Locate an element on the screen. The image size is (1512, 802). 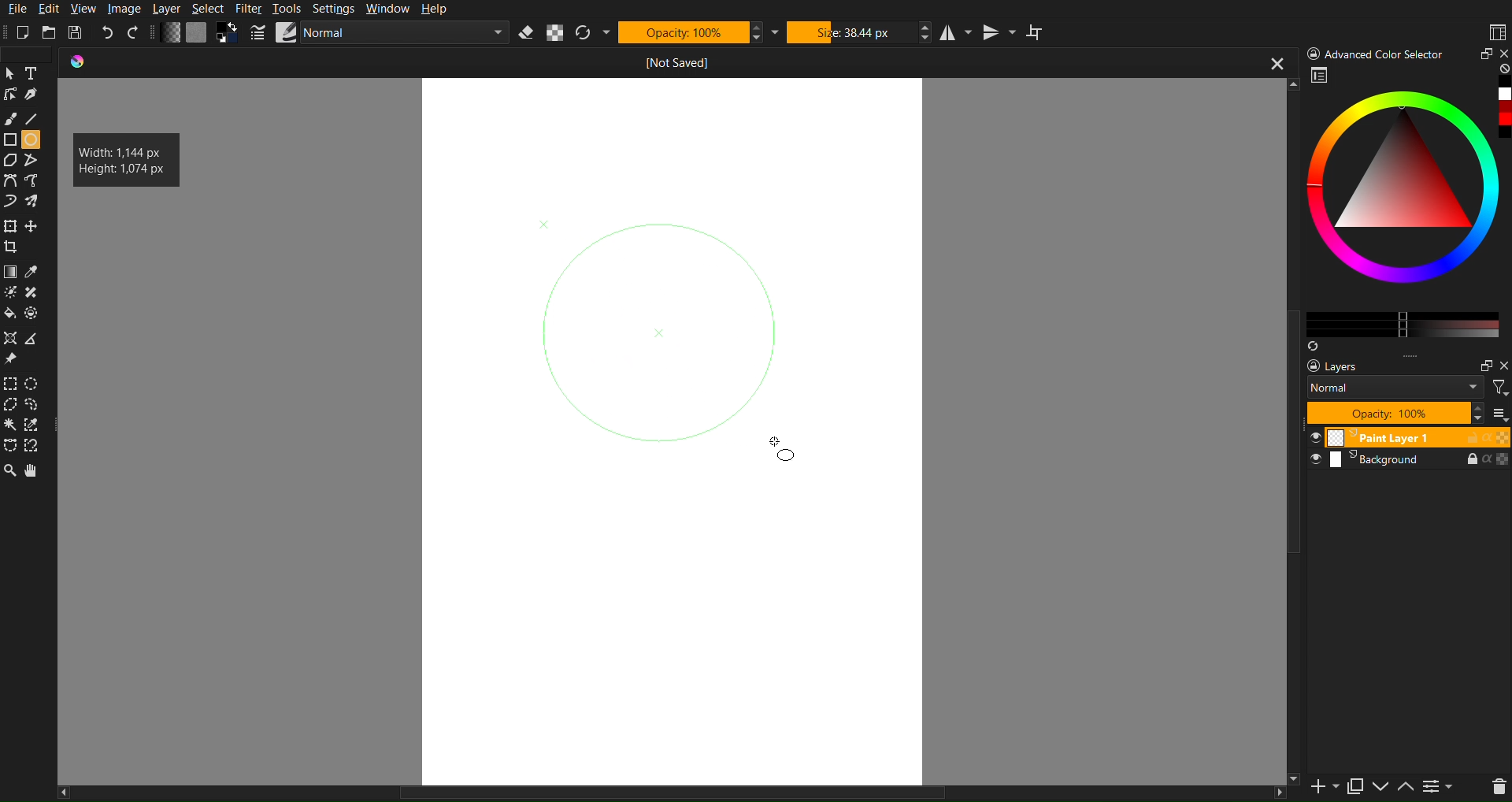
Brush Tool is located at coordinates (10, 119).